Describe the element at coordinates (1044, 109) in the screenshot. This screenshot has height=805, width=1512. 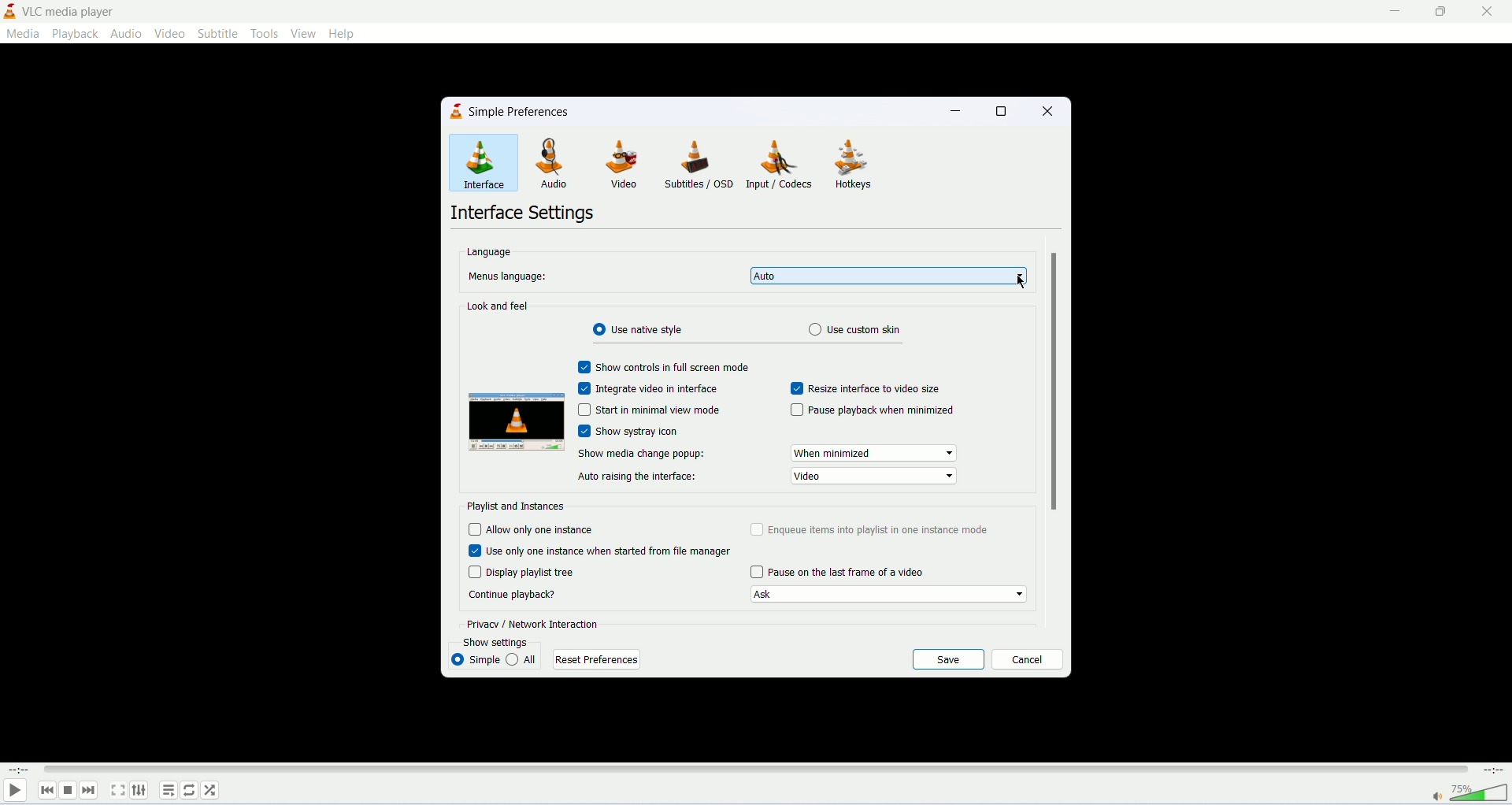
I see `close` at that location.